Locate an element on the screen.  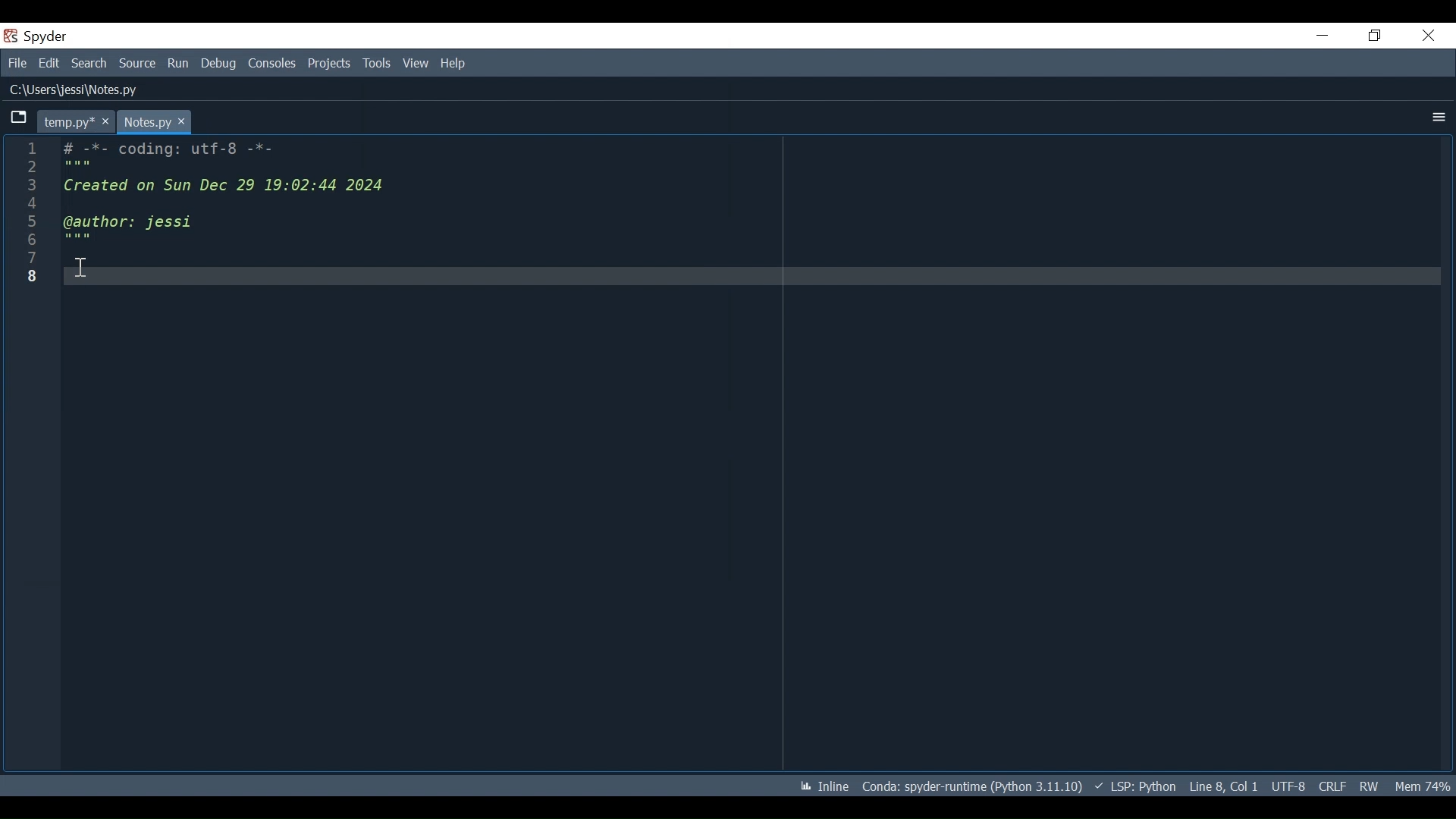
temp.py is located at coordinates (75, 121).